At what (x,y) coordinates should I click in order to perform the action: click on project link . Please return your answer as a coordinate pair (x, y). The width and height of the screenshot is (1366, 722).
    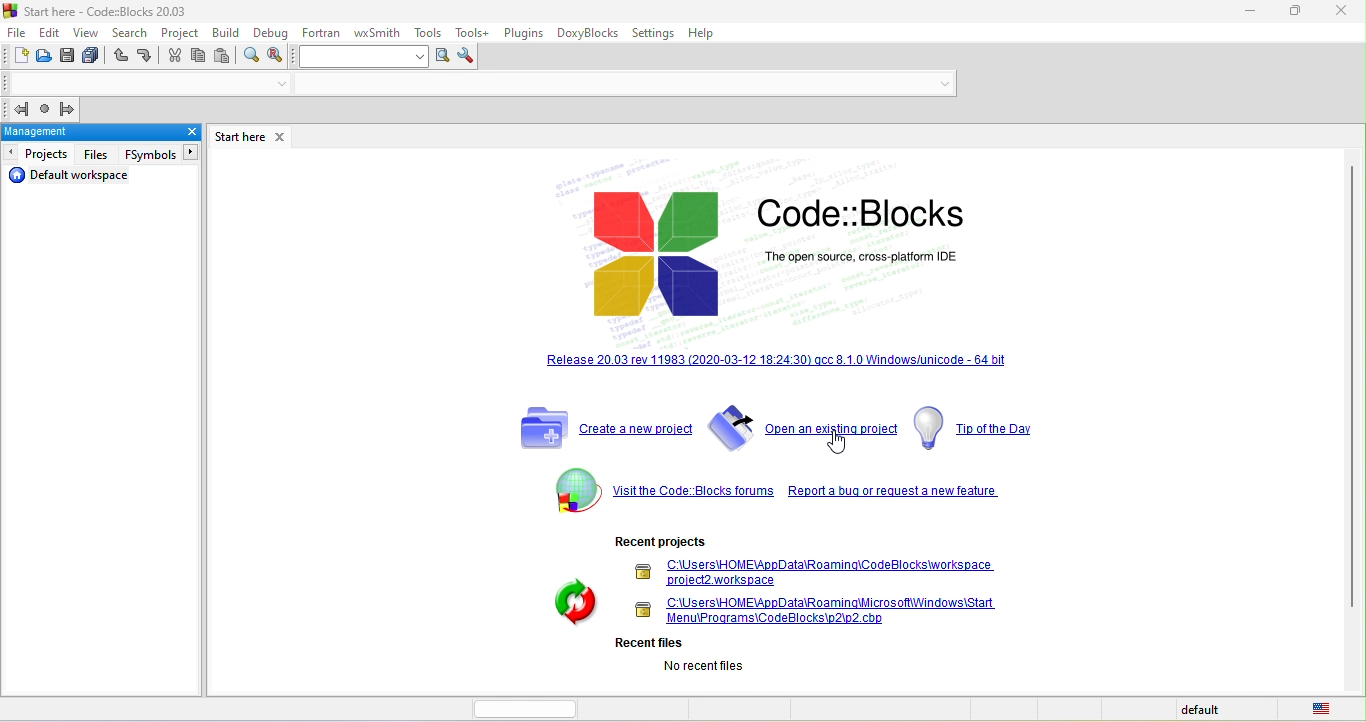
    Looking at the image, I should click on (821, 611).